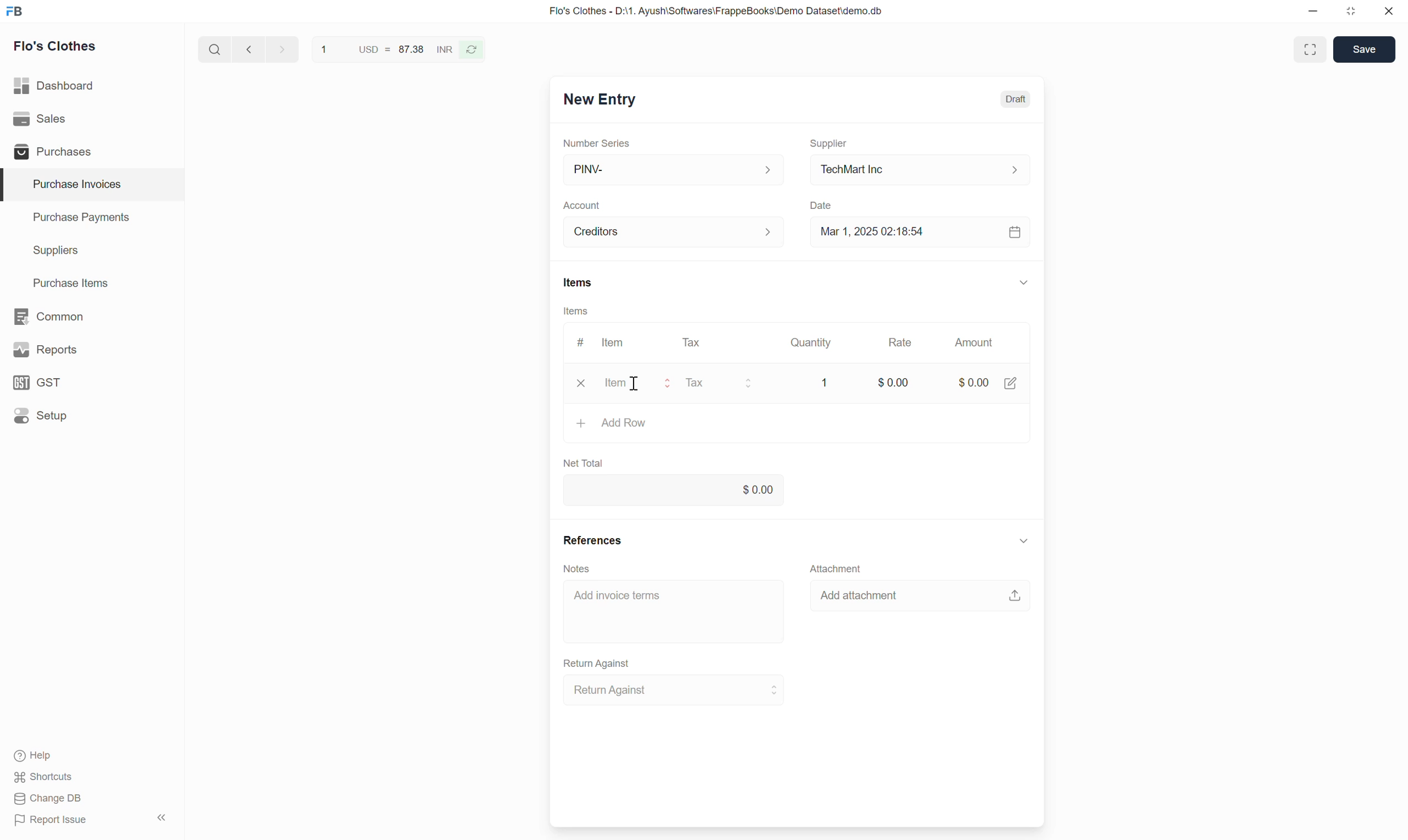 This screenshot has height=840, width=1408. I want to click on TechMart Inc, so click(921, 170).